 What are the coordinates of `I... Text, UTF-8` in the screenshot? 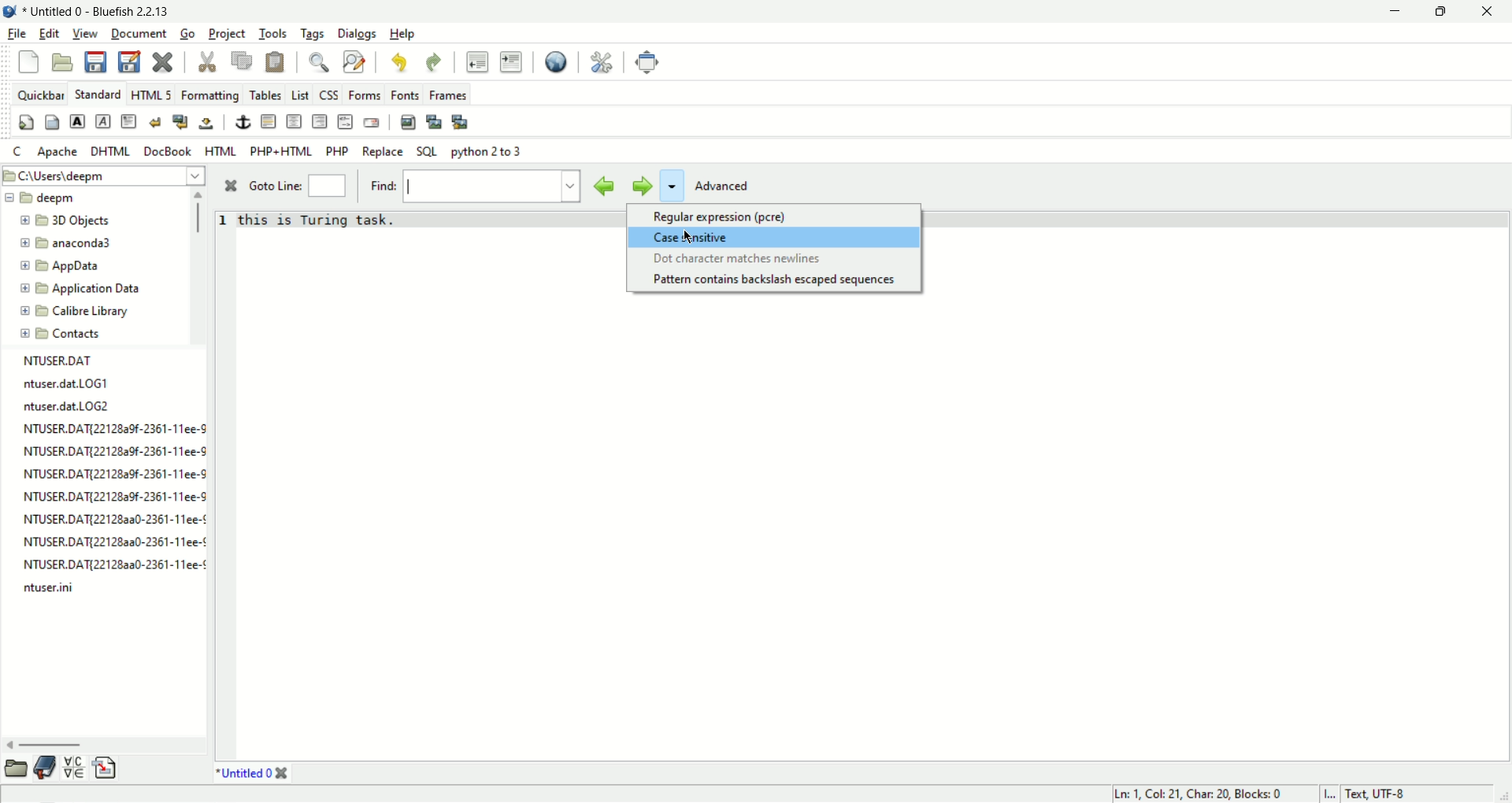 It's located at (1366, 792).